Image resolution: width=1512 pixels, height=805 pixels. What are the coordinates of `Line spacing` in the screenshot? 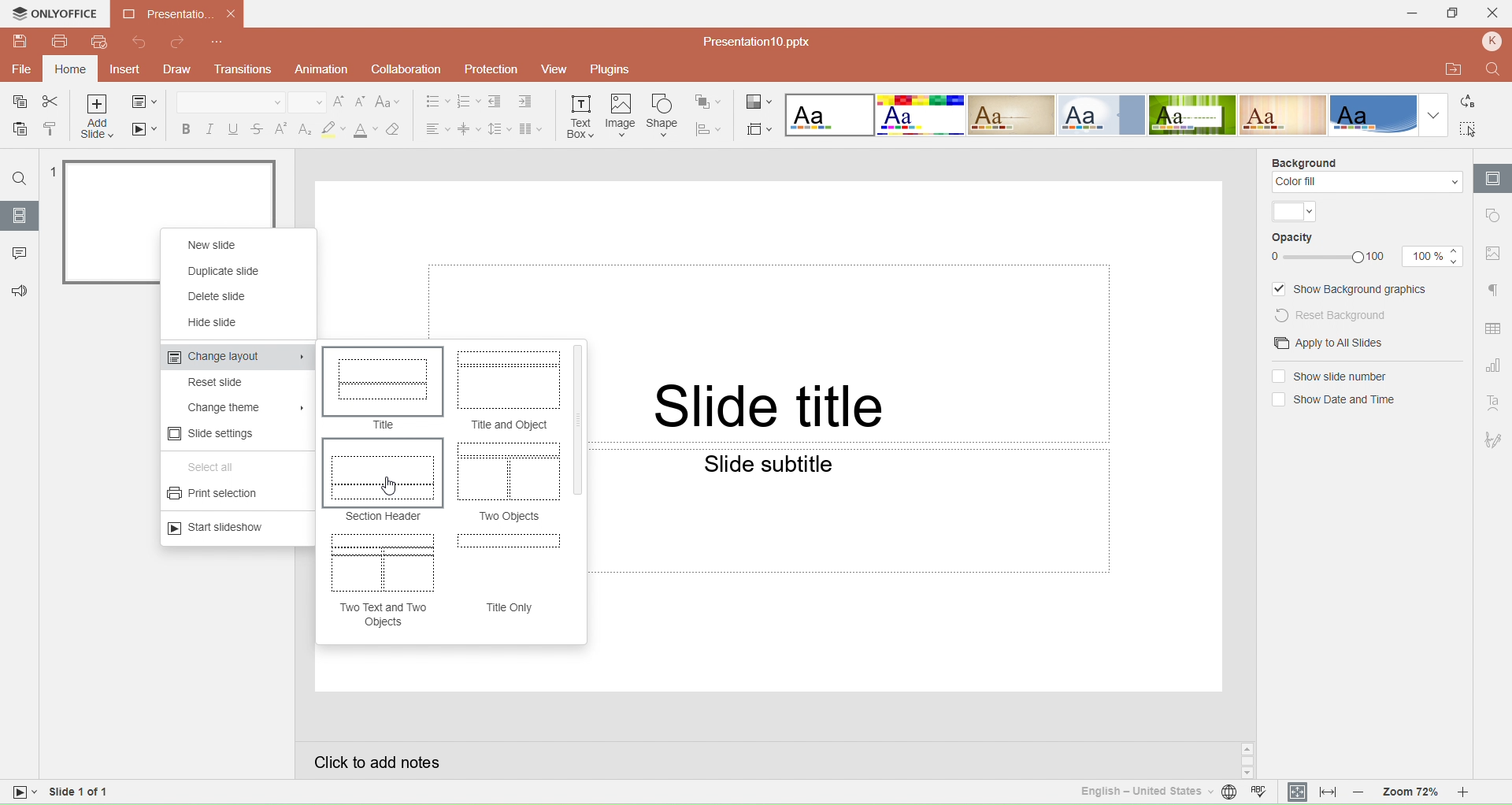 It's located at (498, 128).